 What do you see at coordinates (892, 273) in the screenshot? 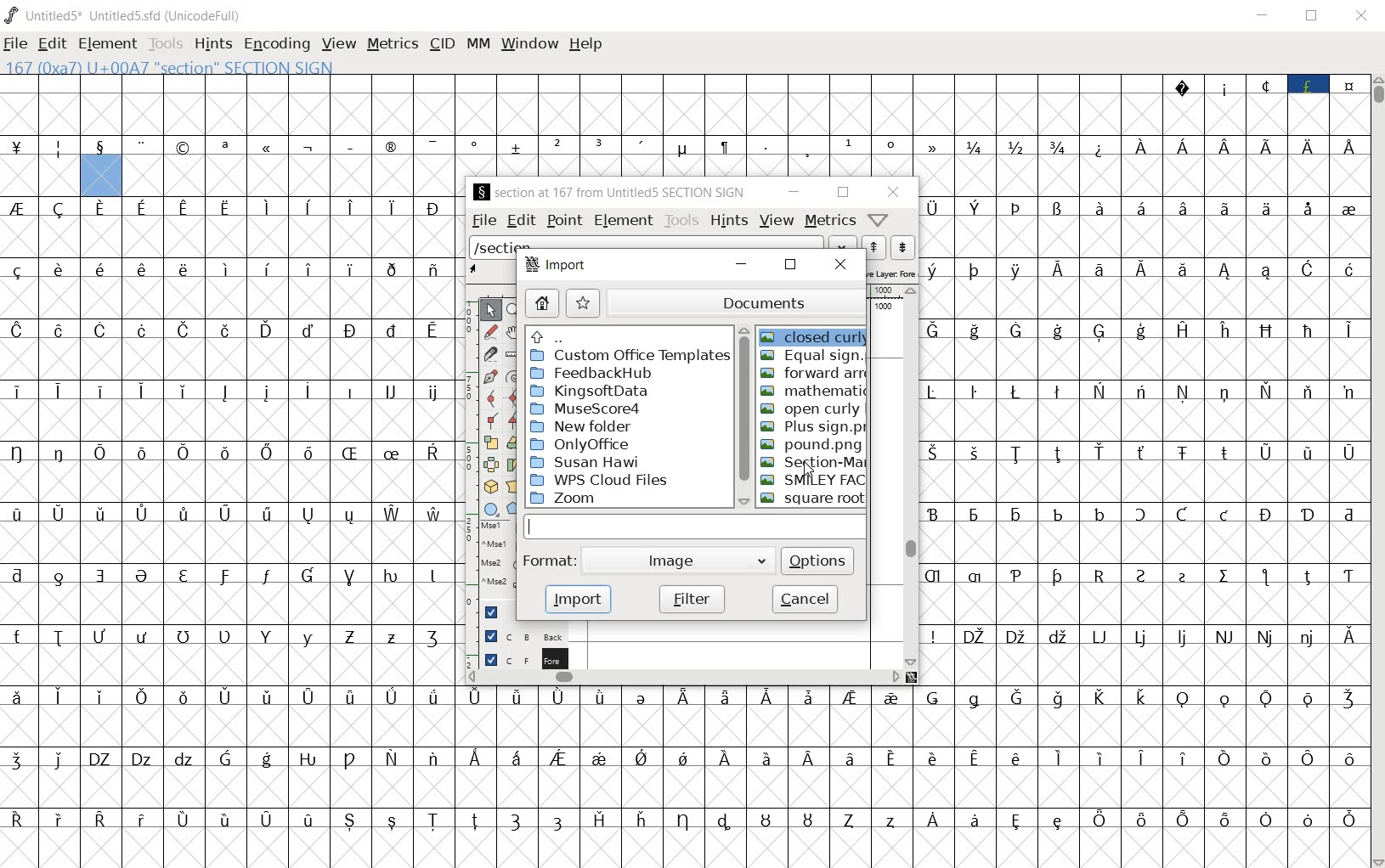
I see `active layer` at bounding box center [892, 273].